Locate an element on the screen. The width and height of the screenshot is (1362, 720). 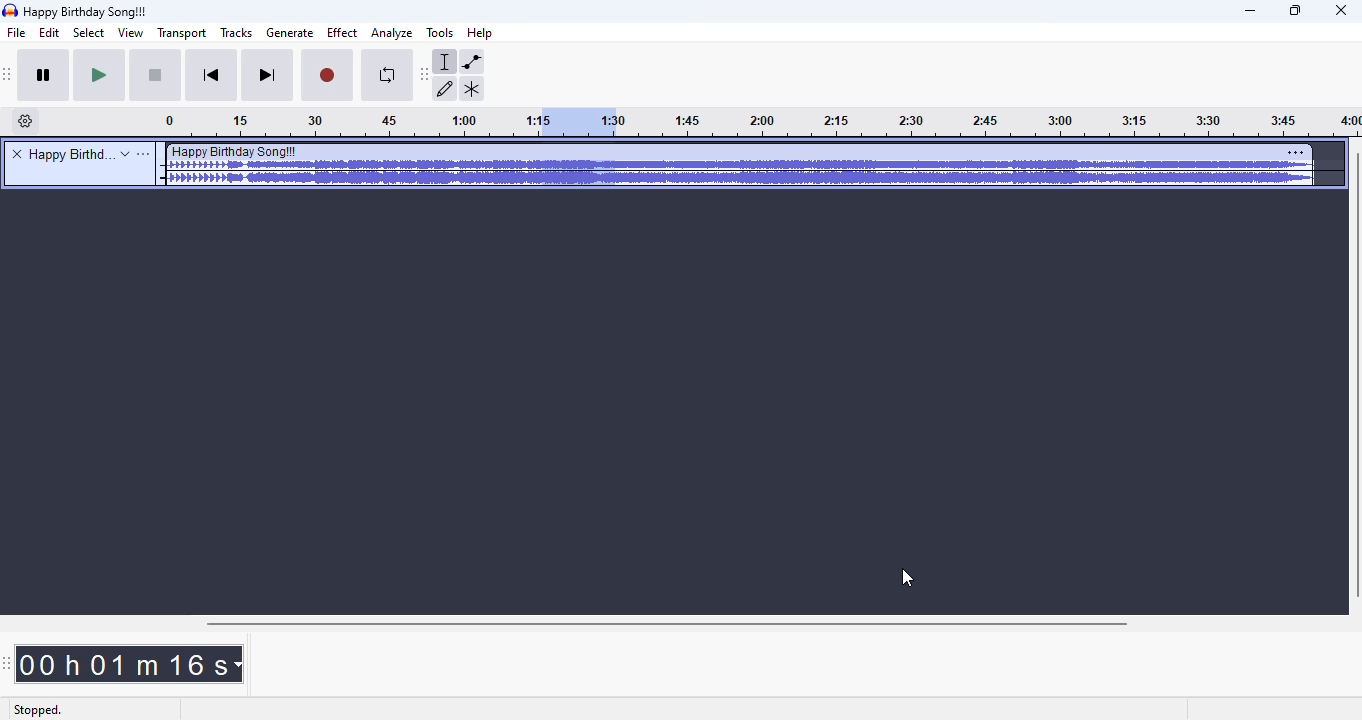
title is located at coordinates (69, 154).